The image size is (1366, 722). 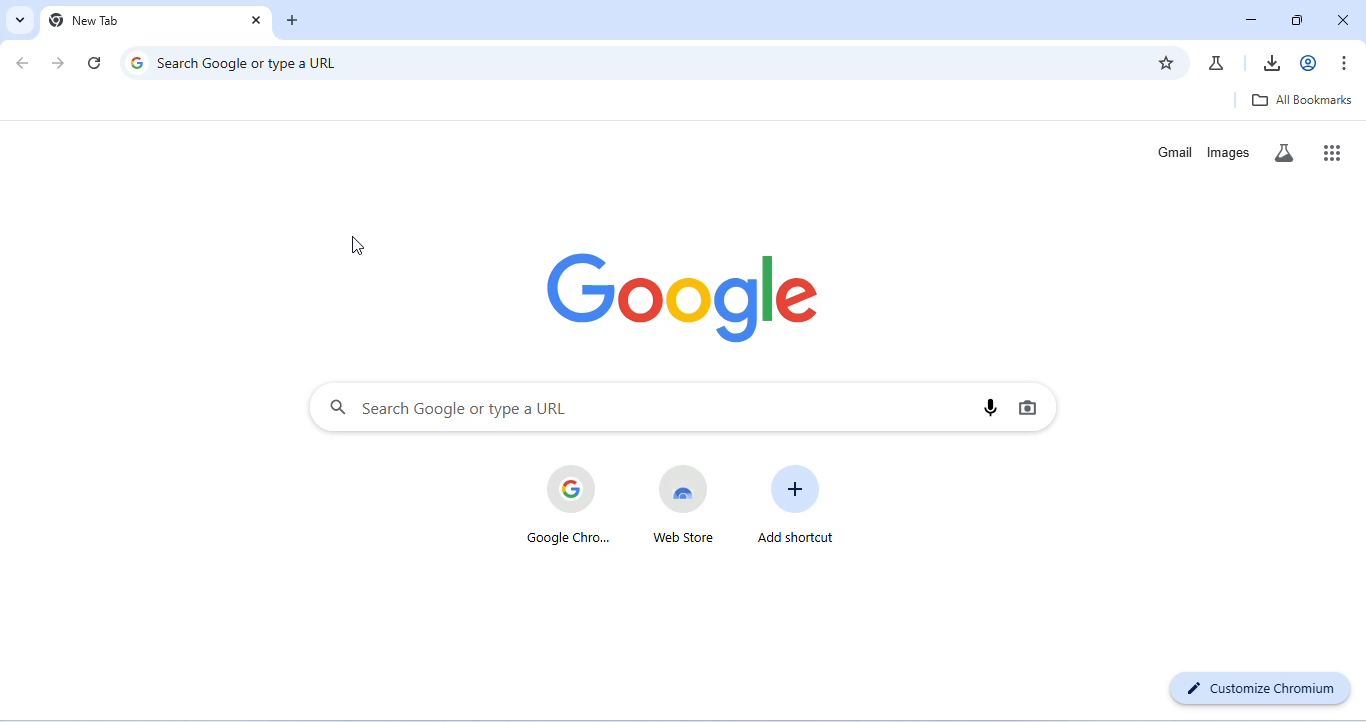 I want to click on close, so click(x=256, y=21).